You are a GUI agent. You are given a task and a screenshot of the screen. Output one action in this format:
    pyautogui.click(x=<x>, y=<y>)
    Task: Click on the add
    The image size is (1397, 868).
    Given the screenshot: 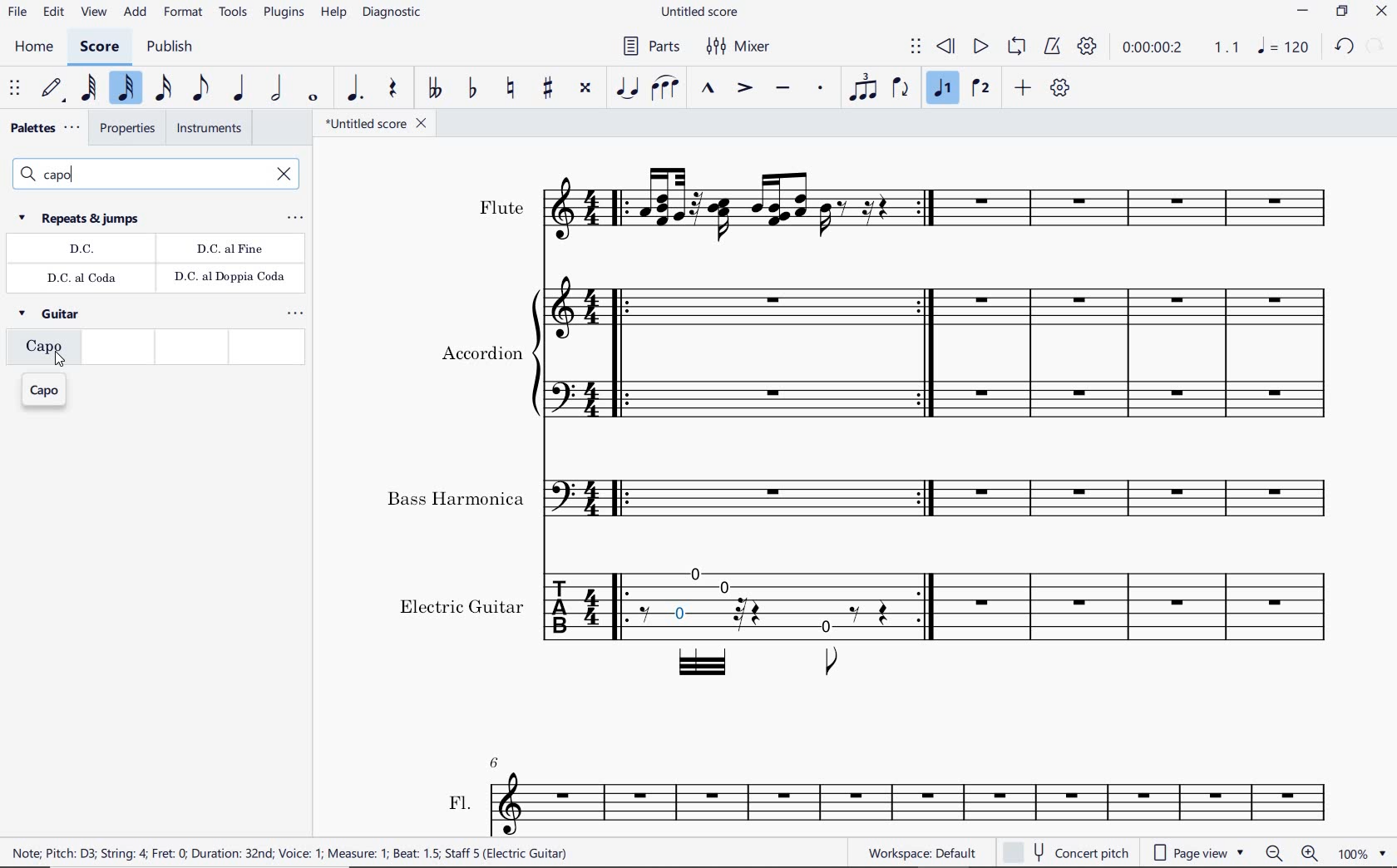 What is the action you would take?
    pyautogui.click(x=136, y=14)
    